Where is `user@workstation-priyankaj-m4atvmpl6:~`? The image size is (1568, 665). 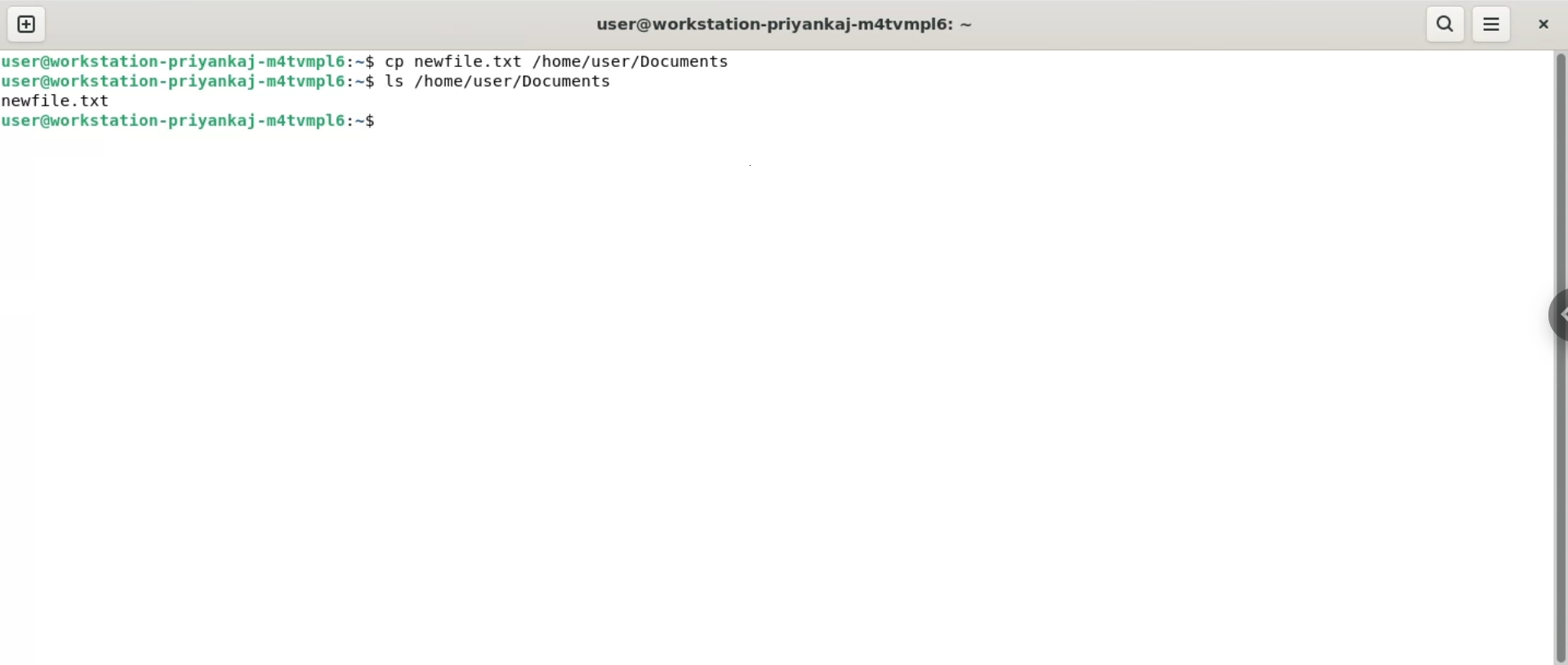
user@workstation-priyankaj-m4atvmpl6:~ is located at coordinates (784, 24).